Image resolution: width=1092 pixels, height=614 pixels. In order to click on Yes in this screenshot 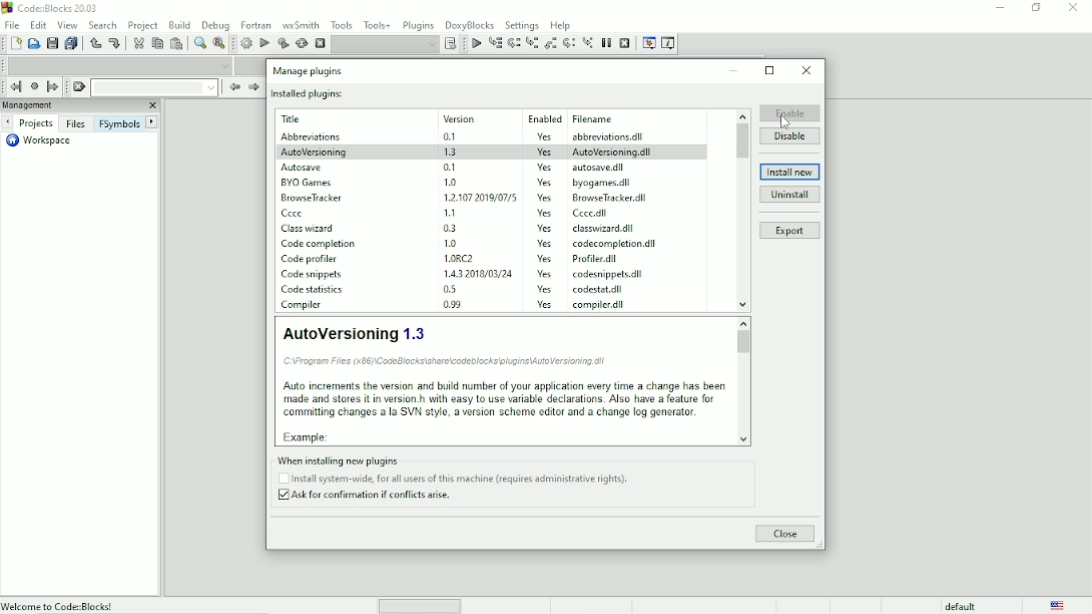, I will do `click(545, 214)`.